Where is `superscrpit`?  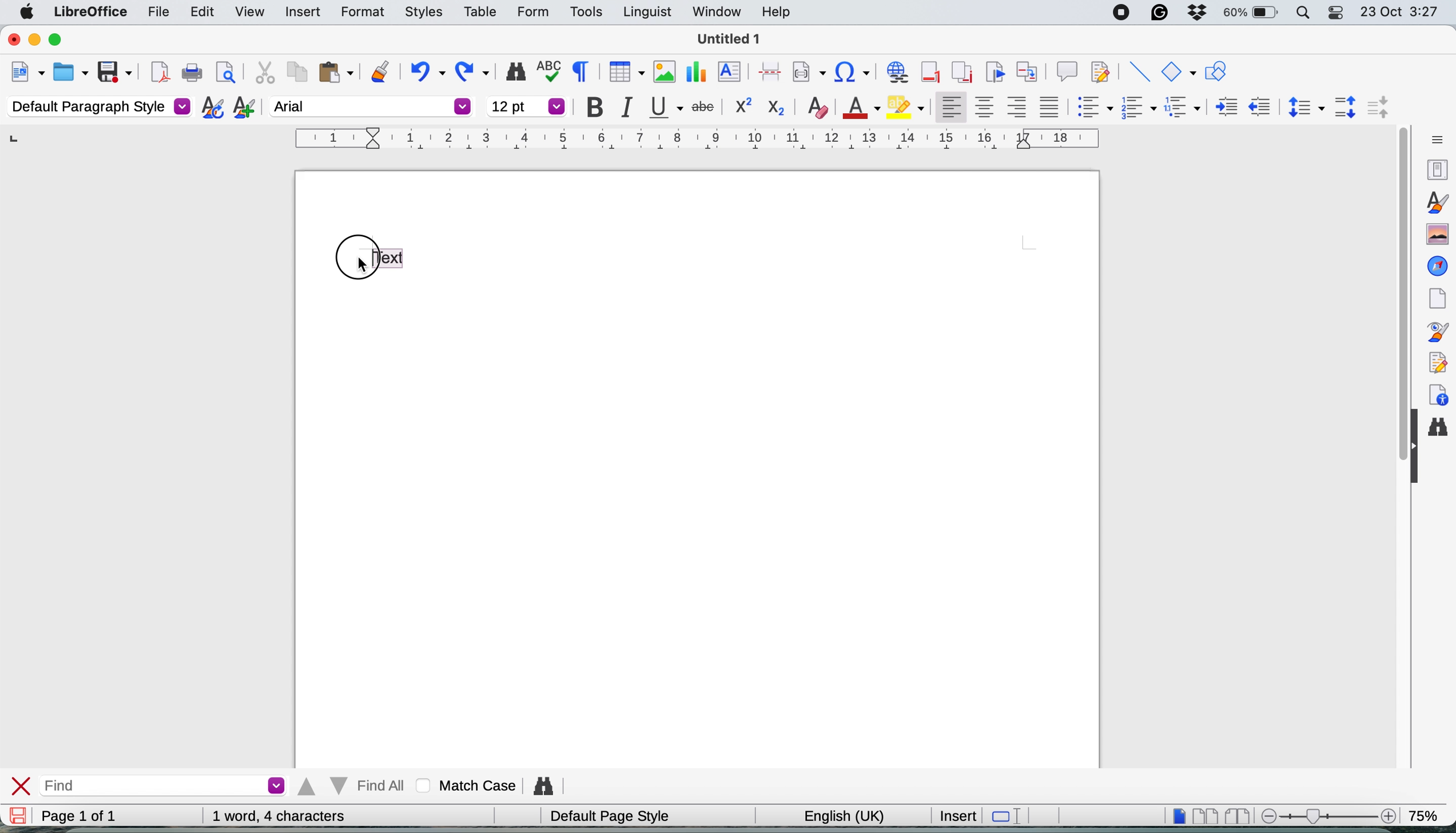
superscrpit is located at coordinates (744, 107).